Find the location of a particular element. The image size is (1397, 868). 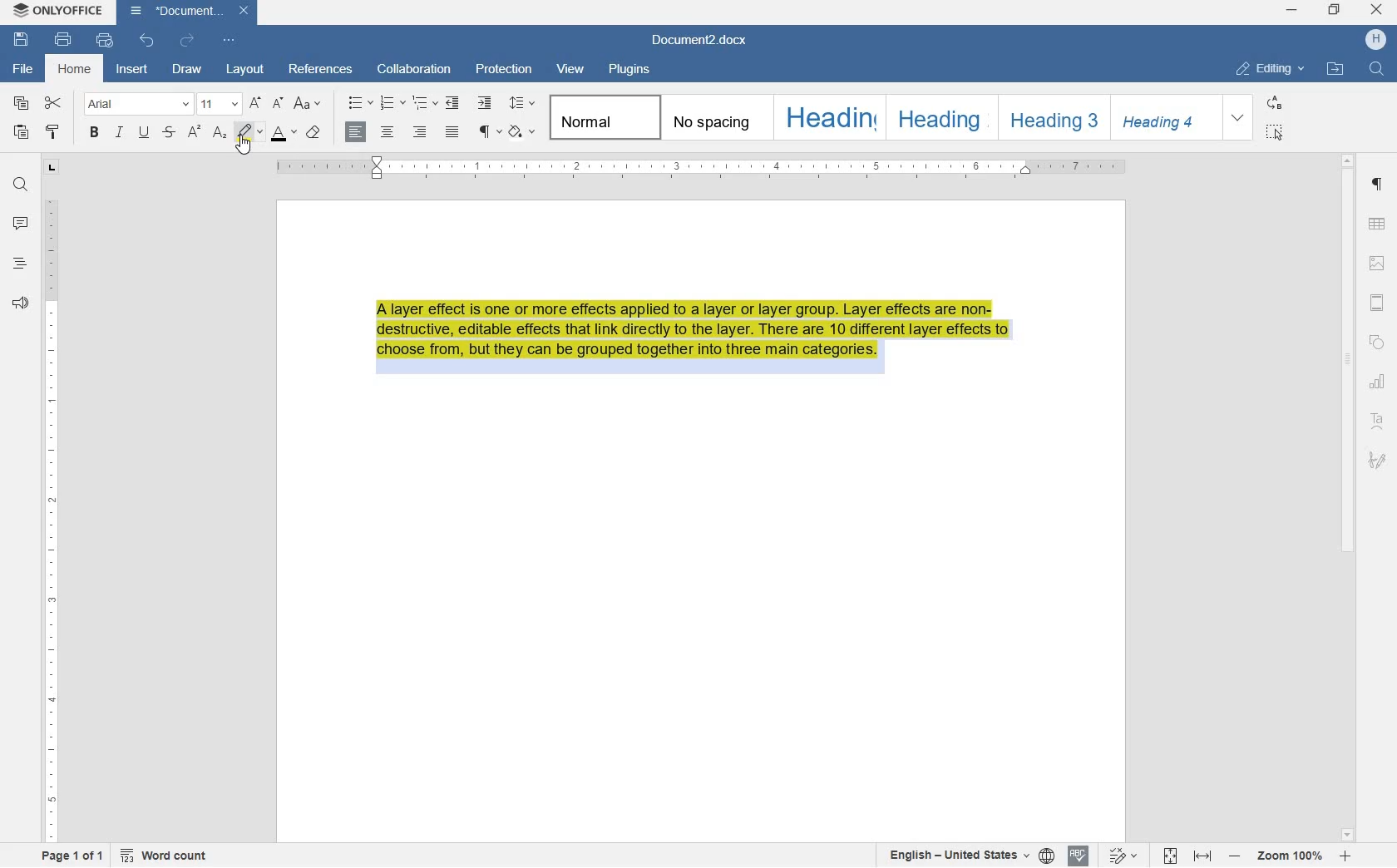

QUICK PRINT is located at coordinates (104, 40).